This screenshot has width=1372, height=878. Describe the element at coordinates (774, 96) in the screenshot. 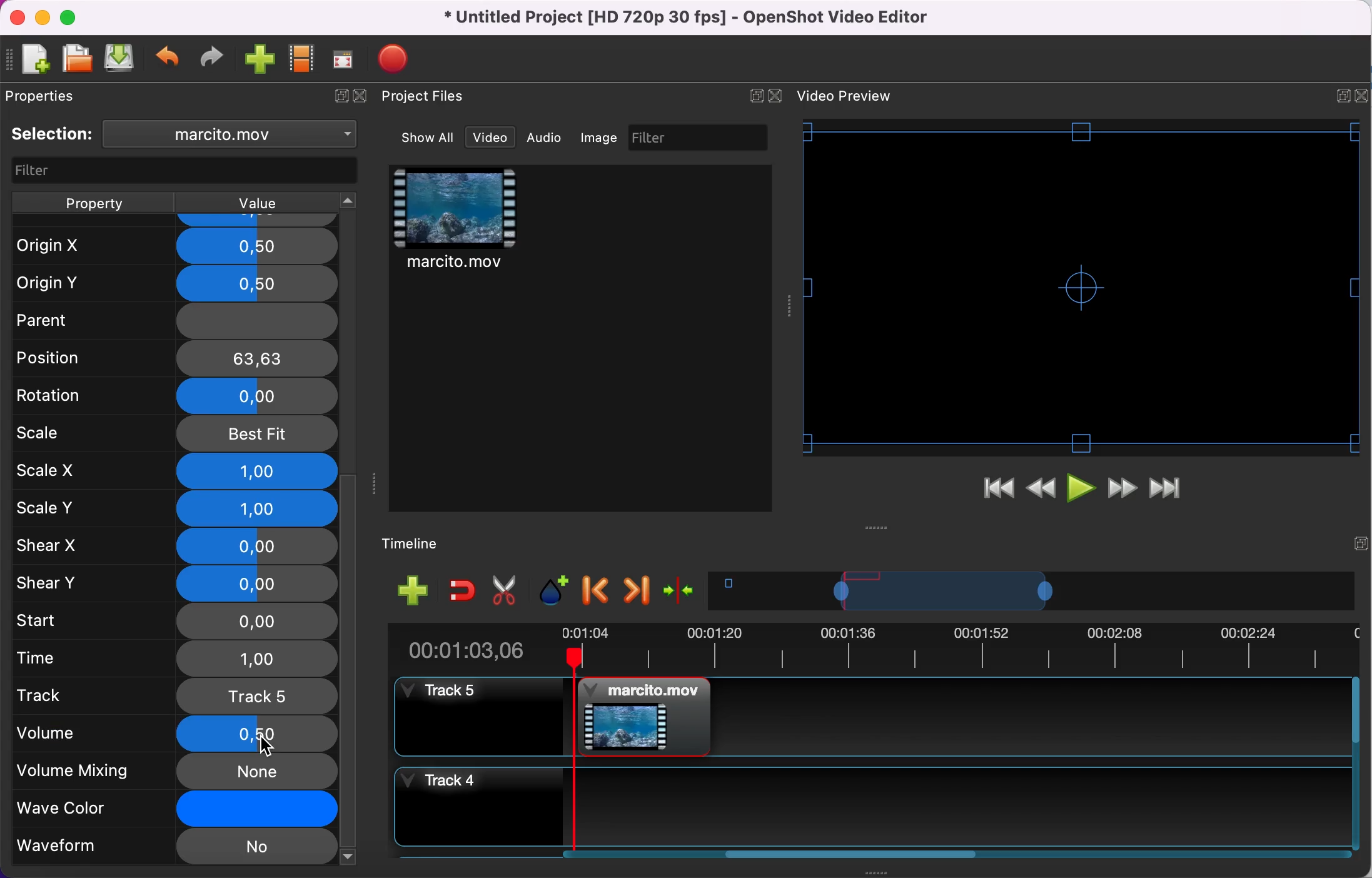

I see `Close` at that location.